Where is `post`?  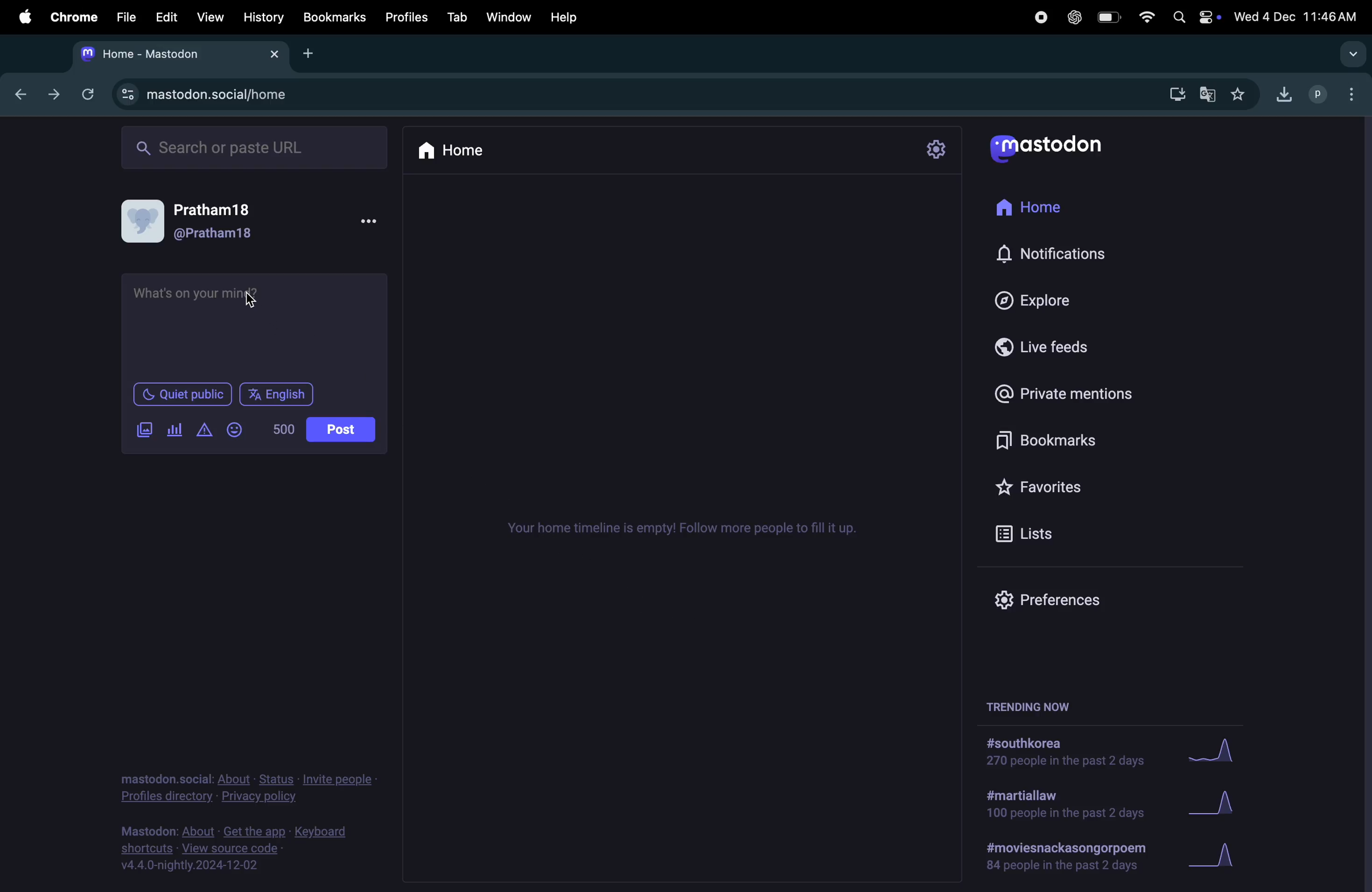
post is located at coordinates (341, 429).